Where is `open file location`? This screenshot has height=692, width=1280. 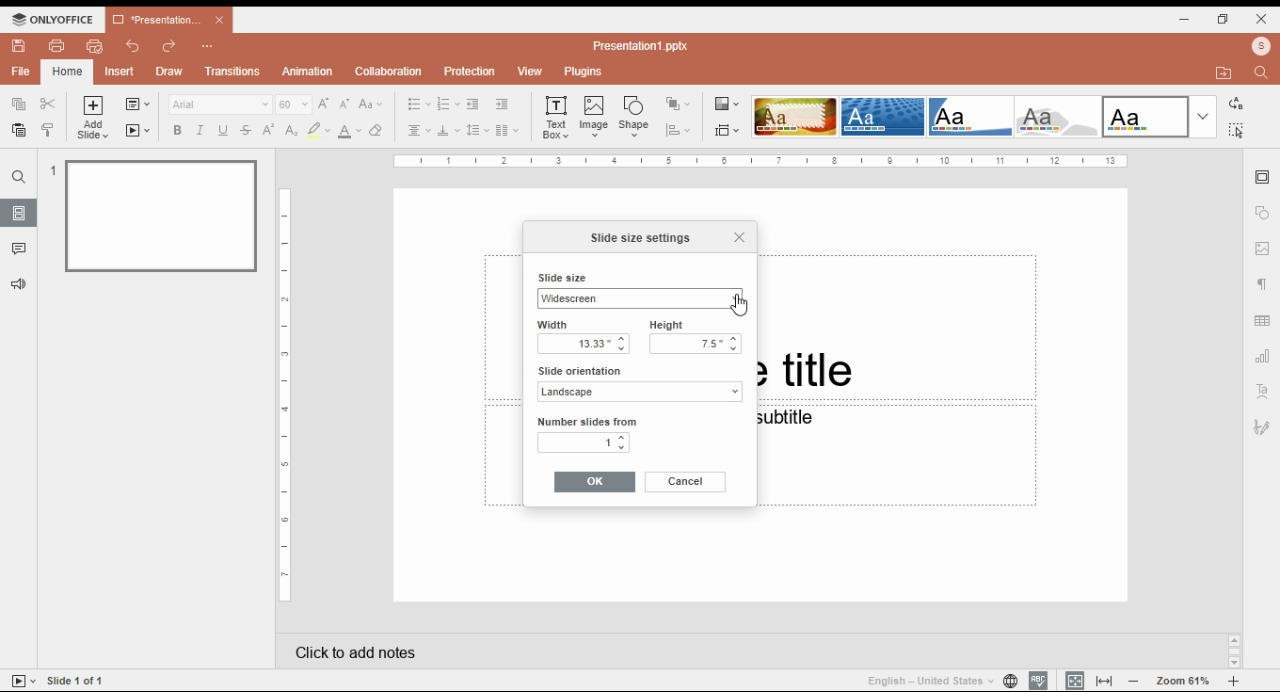 open file location is located at coordinates (1227, 74).